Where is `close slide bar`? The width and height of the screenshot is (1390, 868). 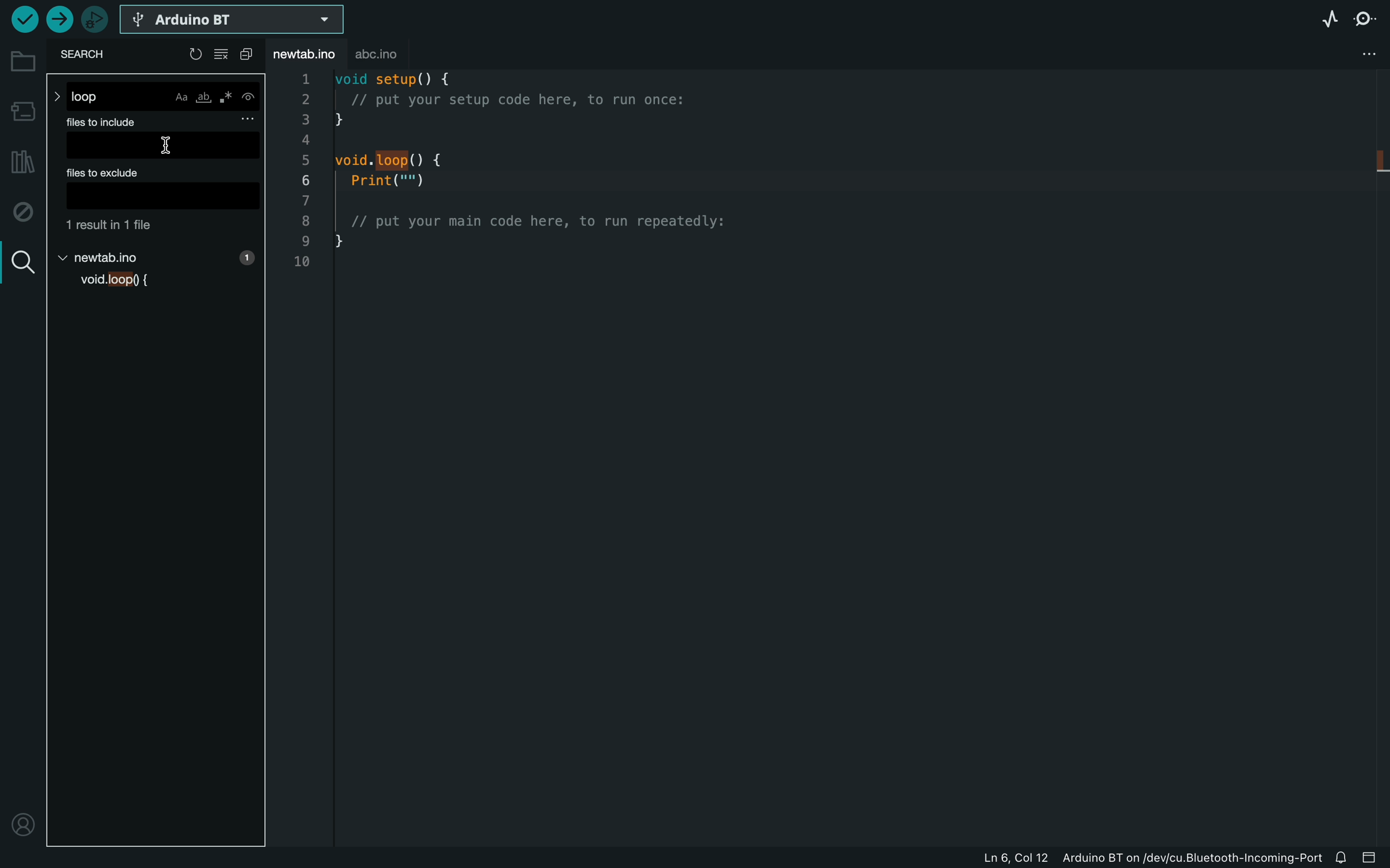
close slide bar is located at coordinates (1376, 851).